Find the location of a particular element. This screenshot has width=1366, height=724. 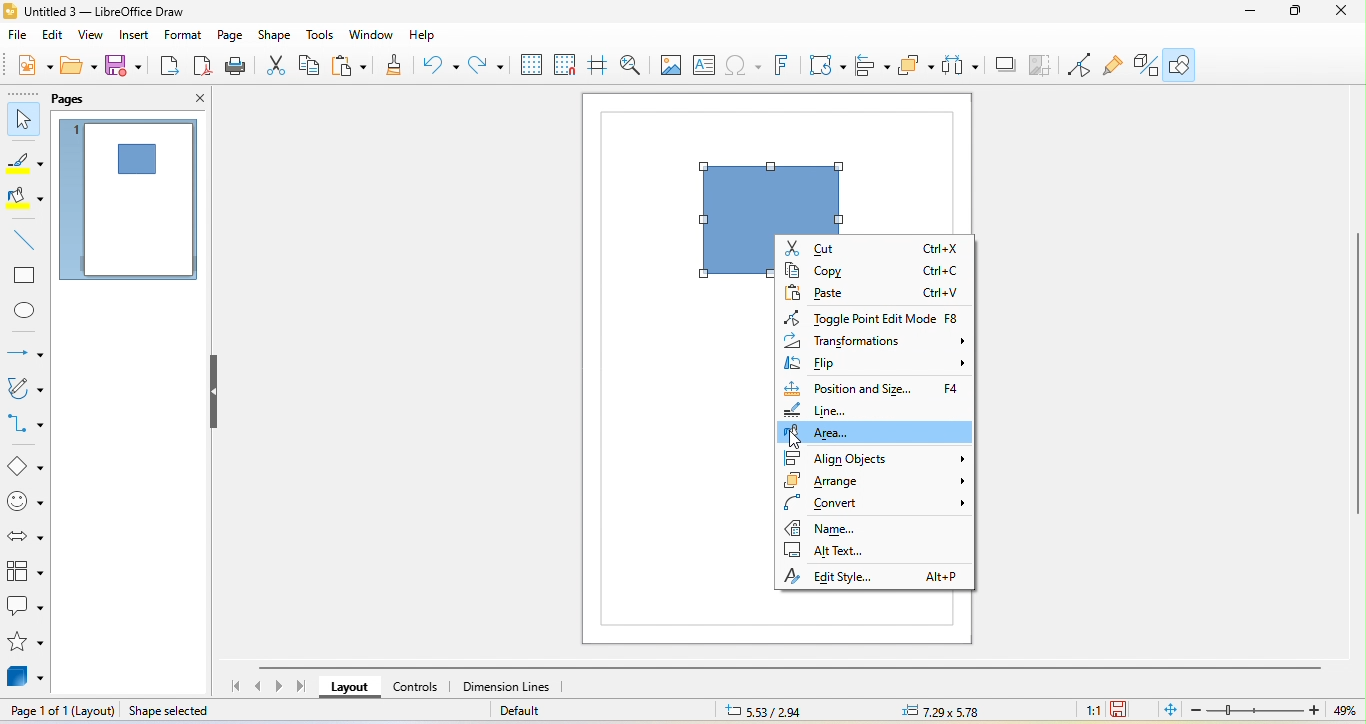

undo is located at coordinates (440, 65).